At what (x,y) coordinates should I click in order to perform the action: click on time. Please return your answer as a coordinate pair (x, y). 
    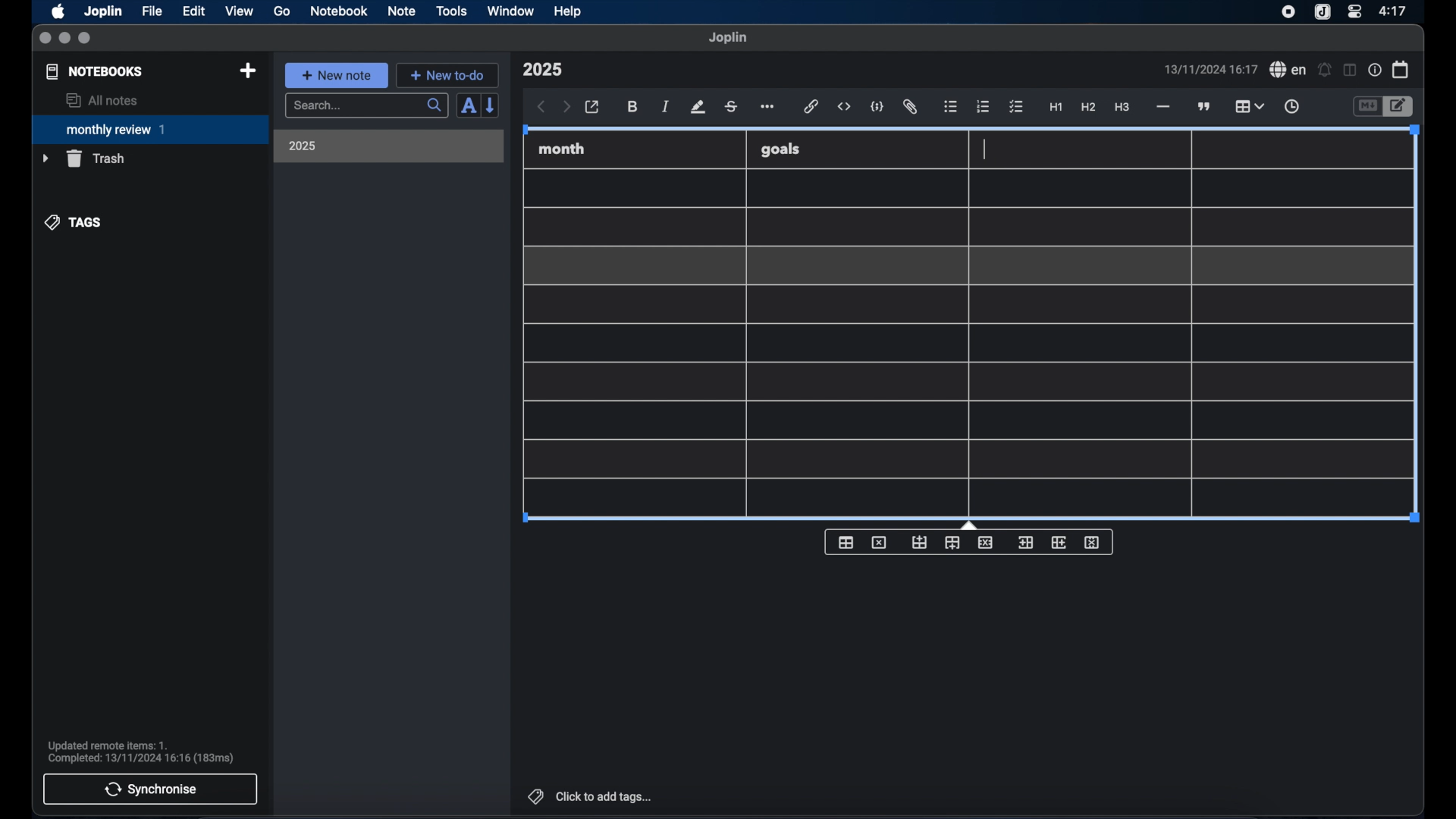
    Looking at the image, I should click on (1395, 11).